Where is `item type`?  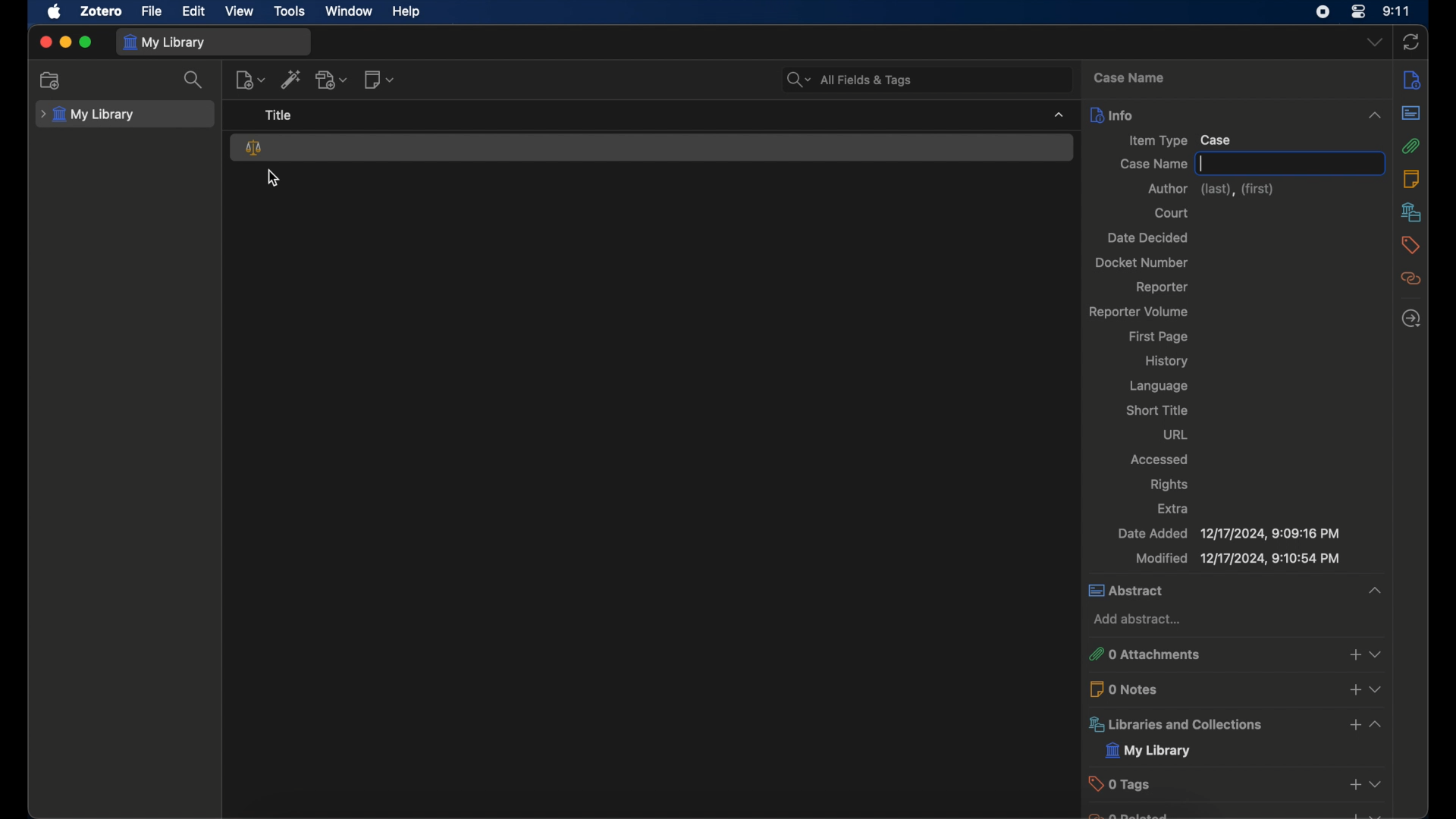 item type is located at coordinates (1178, 140).